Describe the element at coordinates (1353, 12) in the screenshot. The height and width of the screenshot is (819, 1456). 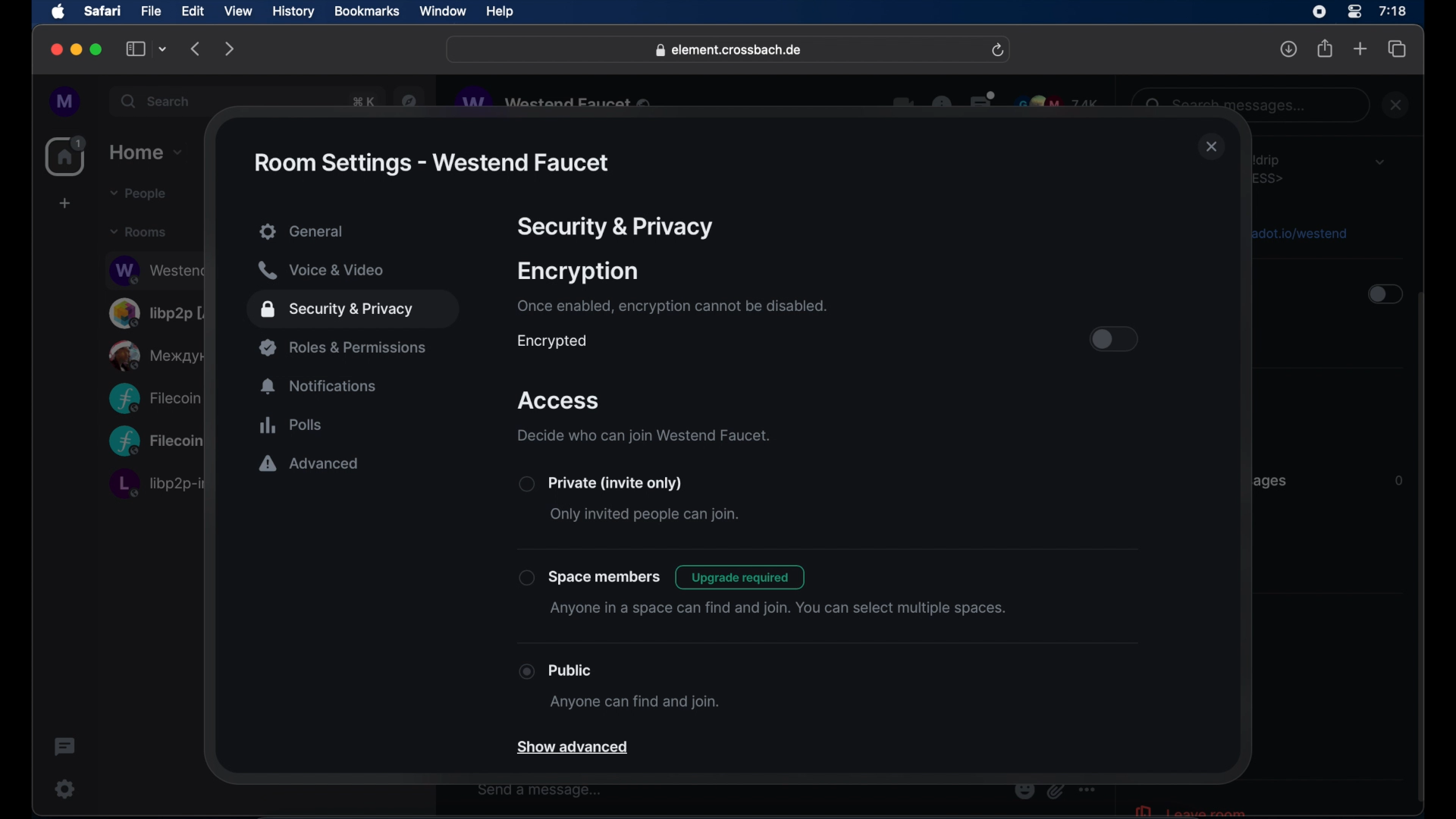
I see `control center` at that location.